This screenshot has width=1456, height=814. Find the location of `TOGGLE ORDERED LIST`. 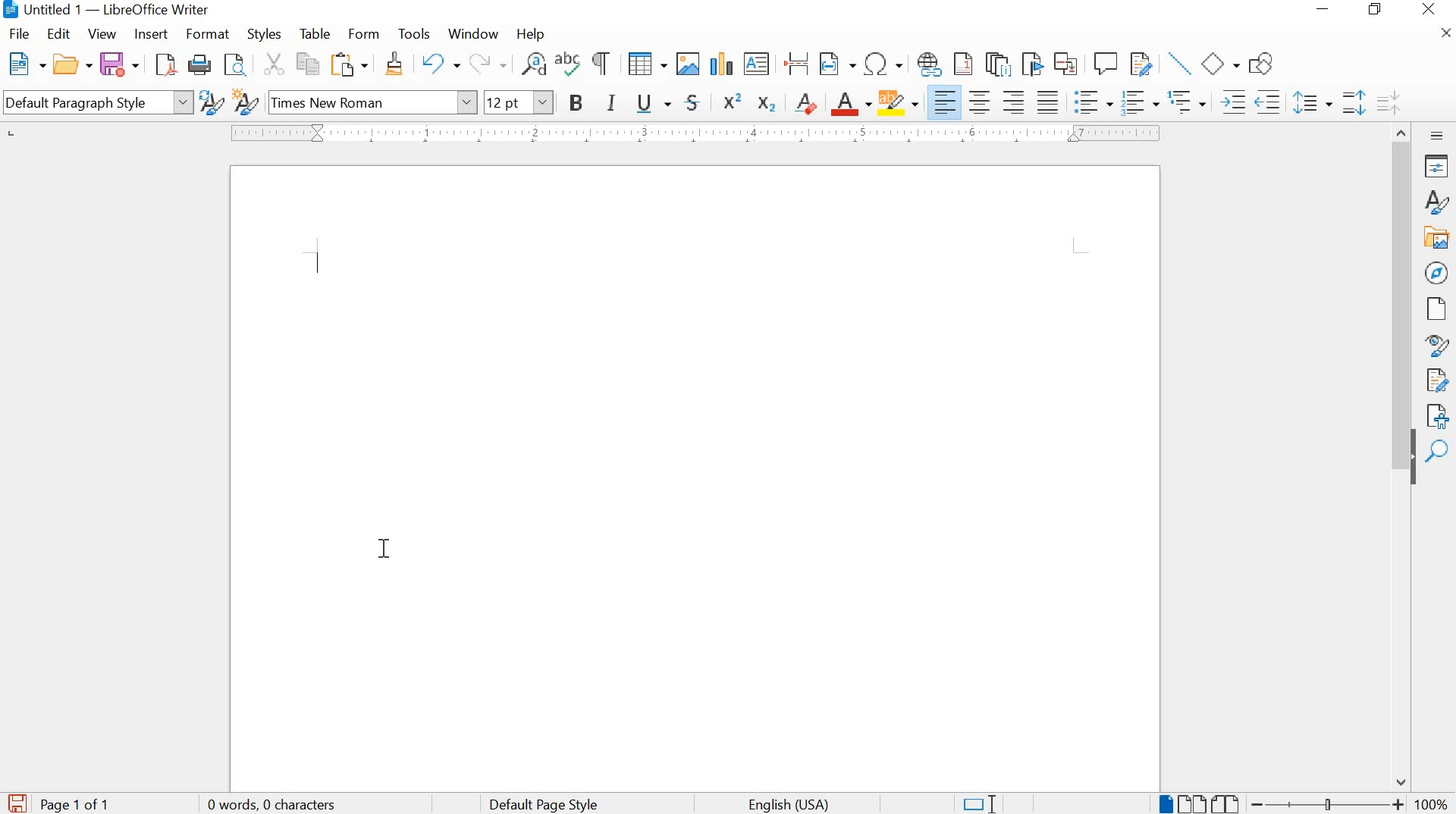

TOGGLE ORDERED LIST is located at coordinates (1141, 102).